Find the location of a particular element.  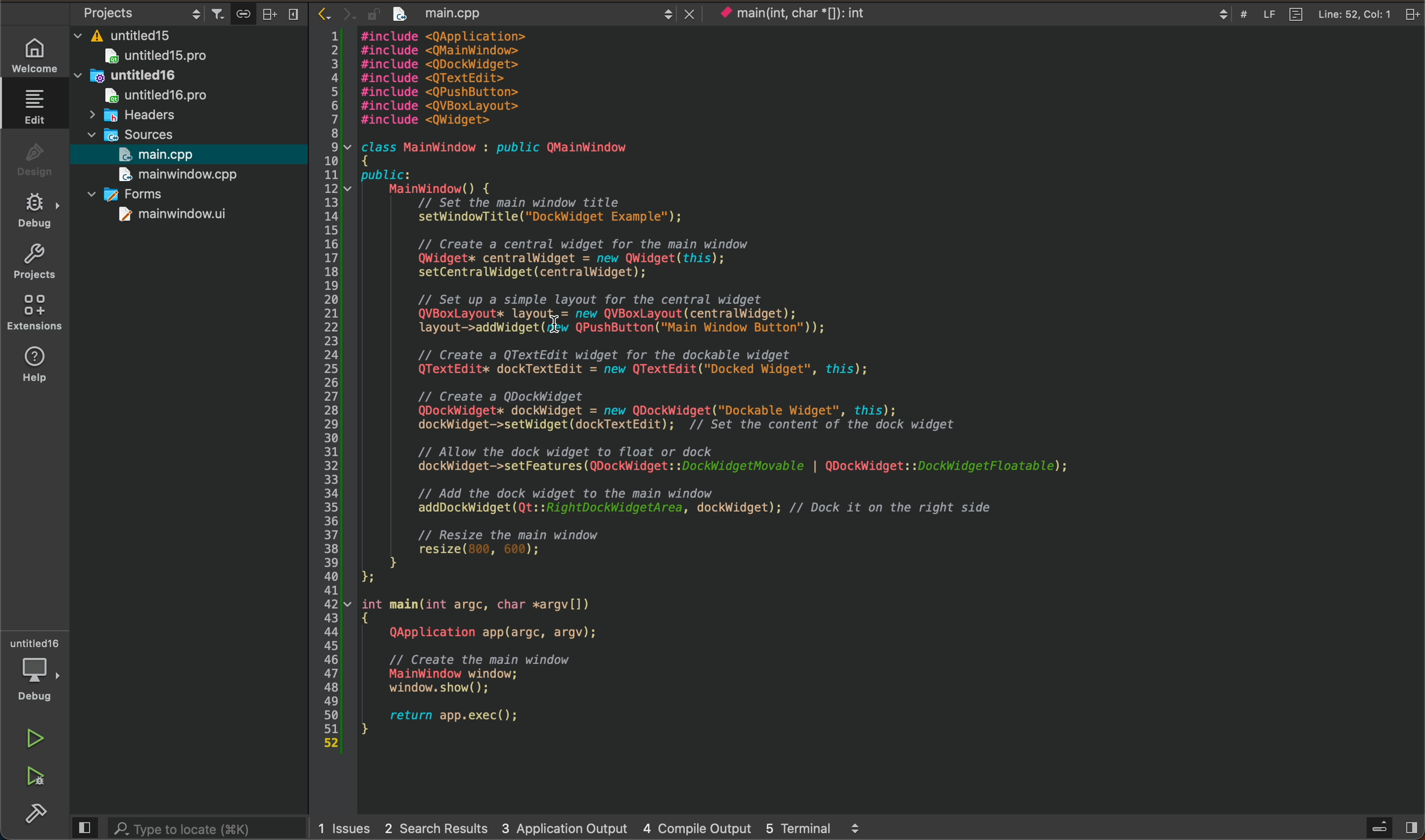

arrows is located at coordinates (332, 15).